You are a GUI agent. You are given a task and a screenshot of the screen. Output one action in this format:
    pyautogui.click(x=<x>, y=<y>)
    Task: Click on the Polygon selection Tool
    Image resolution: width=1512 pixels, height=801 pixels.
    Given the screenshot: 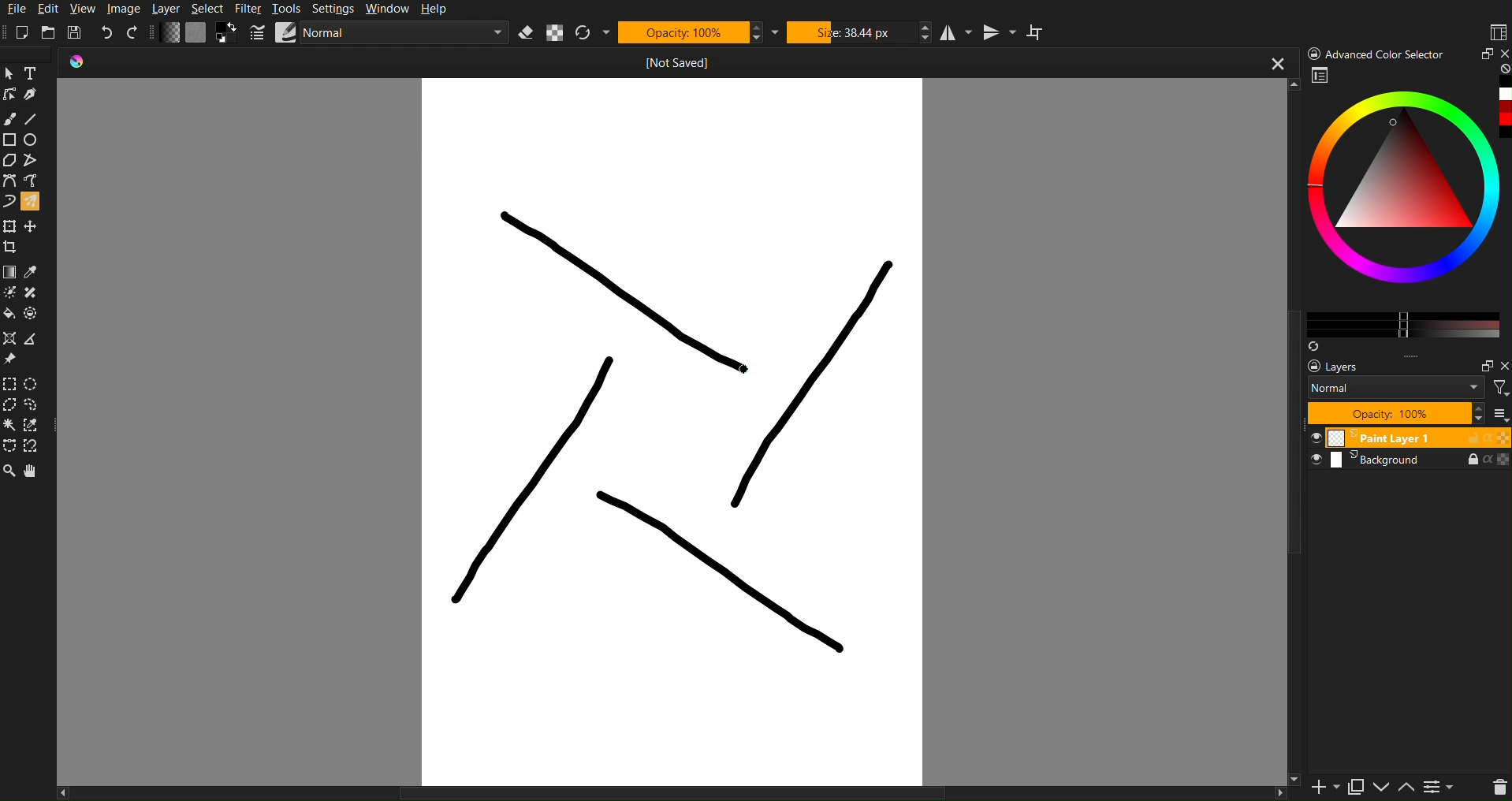 What is the action you would take?
    pyautogui.click(x=11, y=405)
    